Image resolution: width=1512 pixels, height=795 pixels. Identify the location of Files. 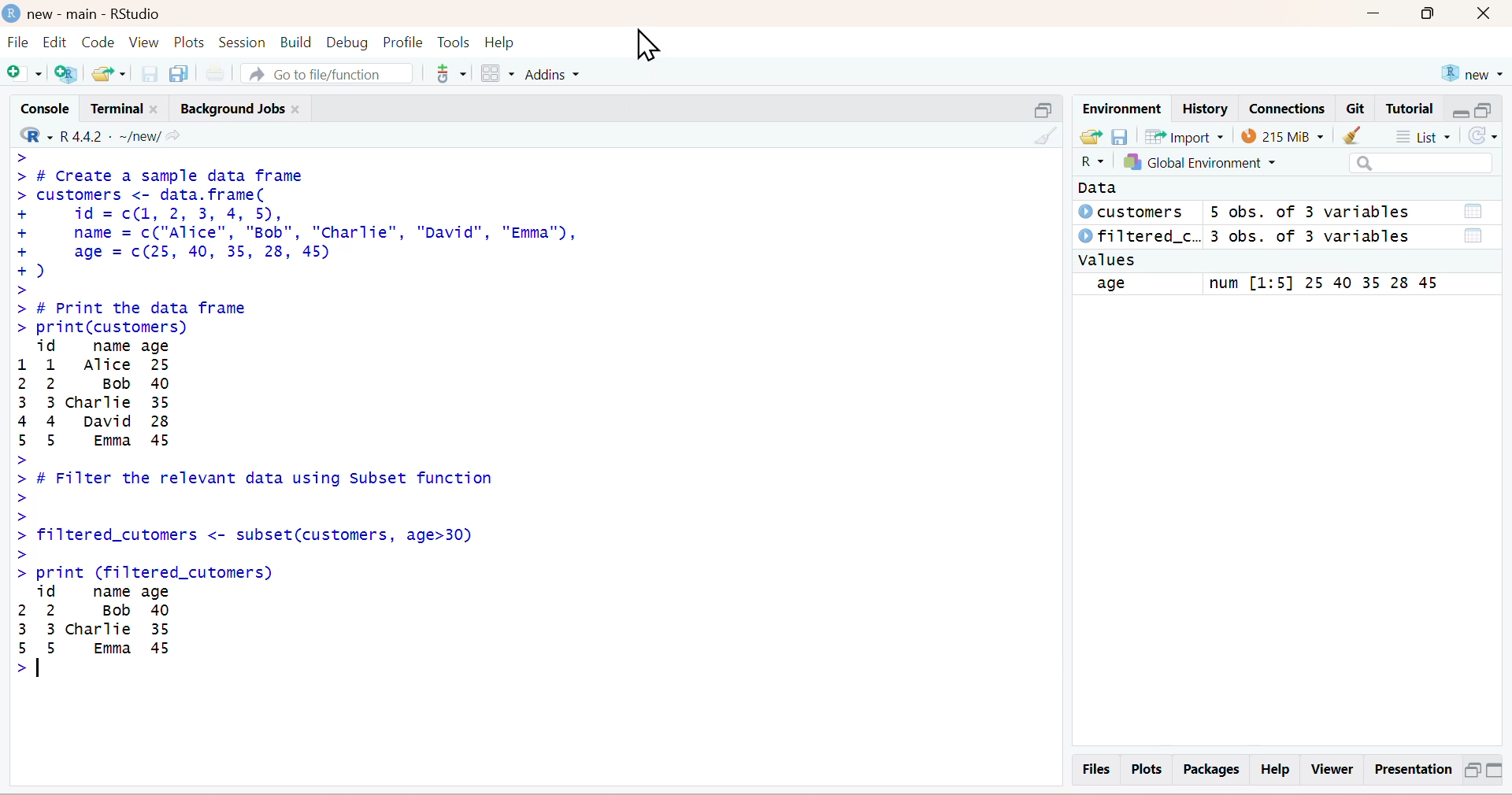
(1094, 768).